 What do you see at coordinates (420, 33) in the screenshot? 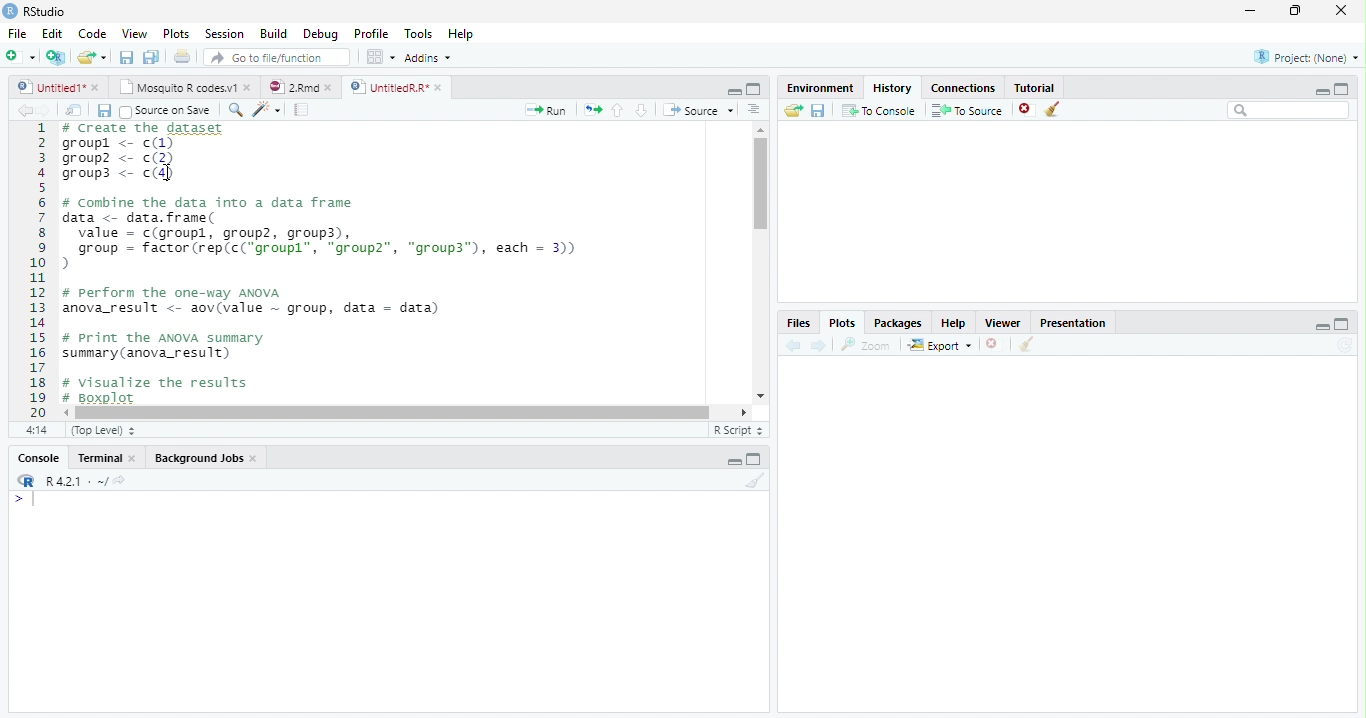
I see `Tools` at bounding box center [420, 33].